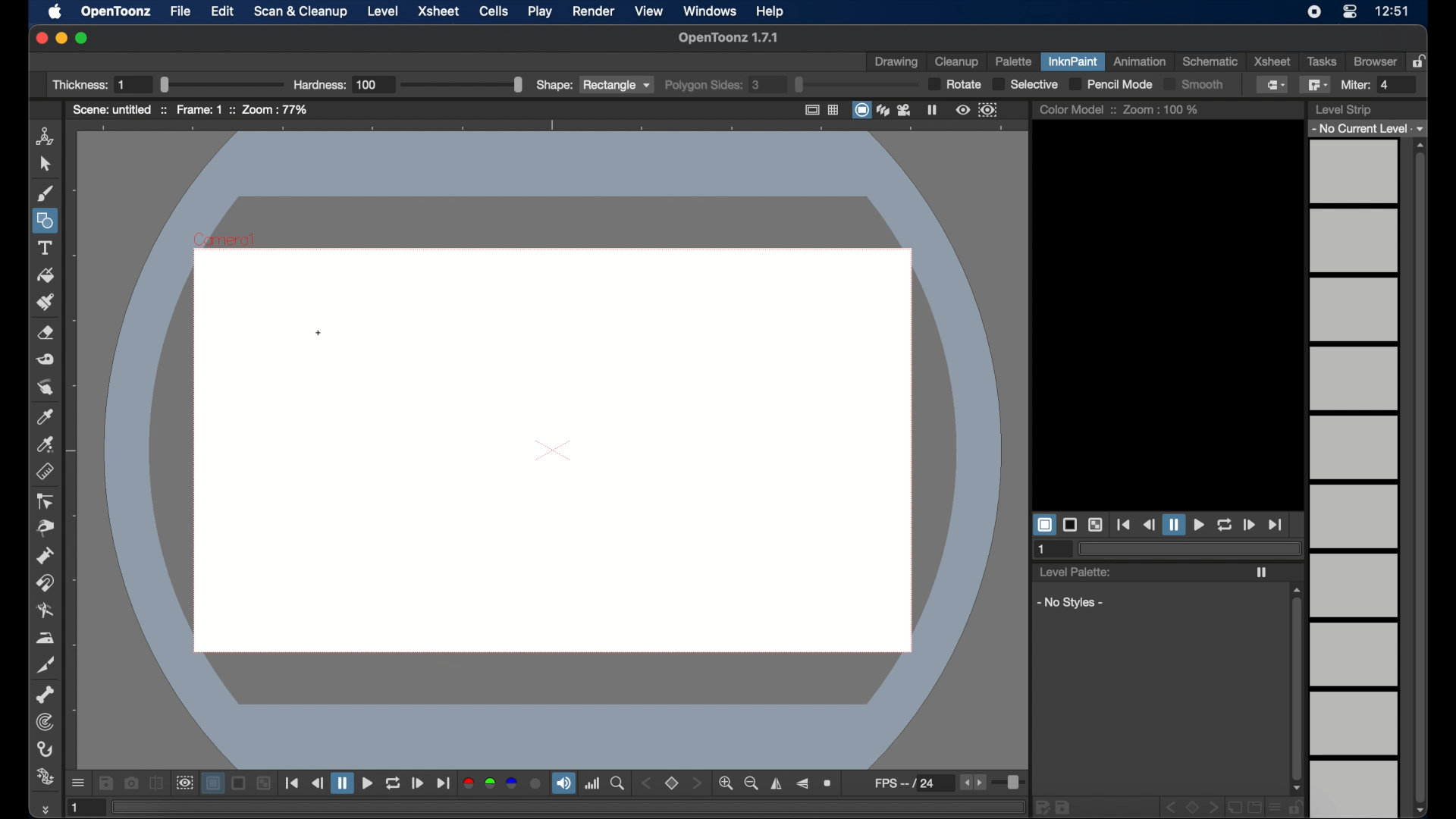  What do you see at coordinates (1201, 86) in the screenshot?
I see `Smooth` at bounding box center [1201, 86].